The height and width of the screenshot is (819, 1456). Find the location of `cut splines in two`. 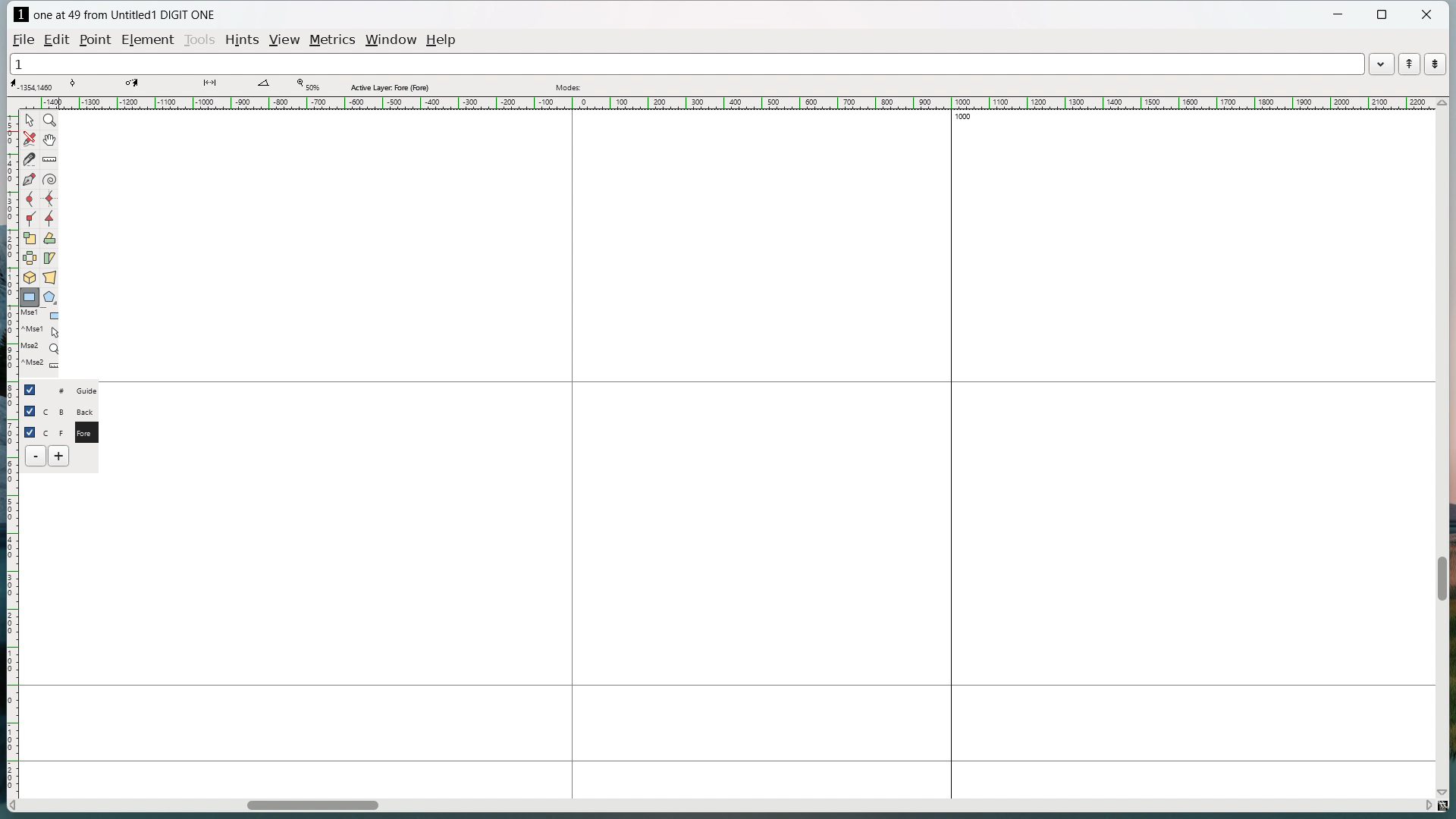

cut splines in two is located at coordinates (30, 159).